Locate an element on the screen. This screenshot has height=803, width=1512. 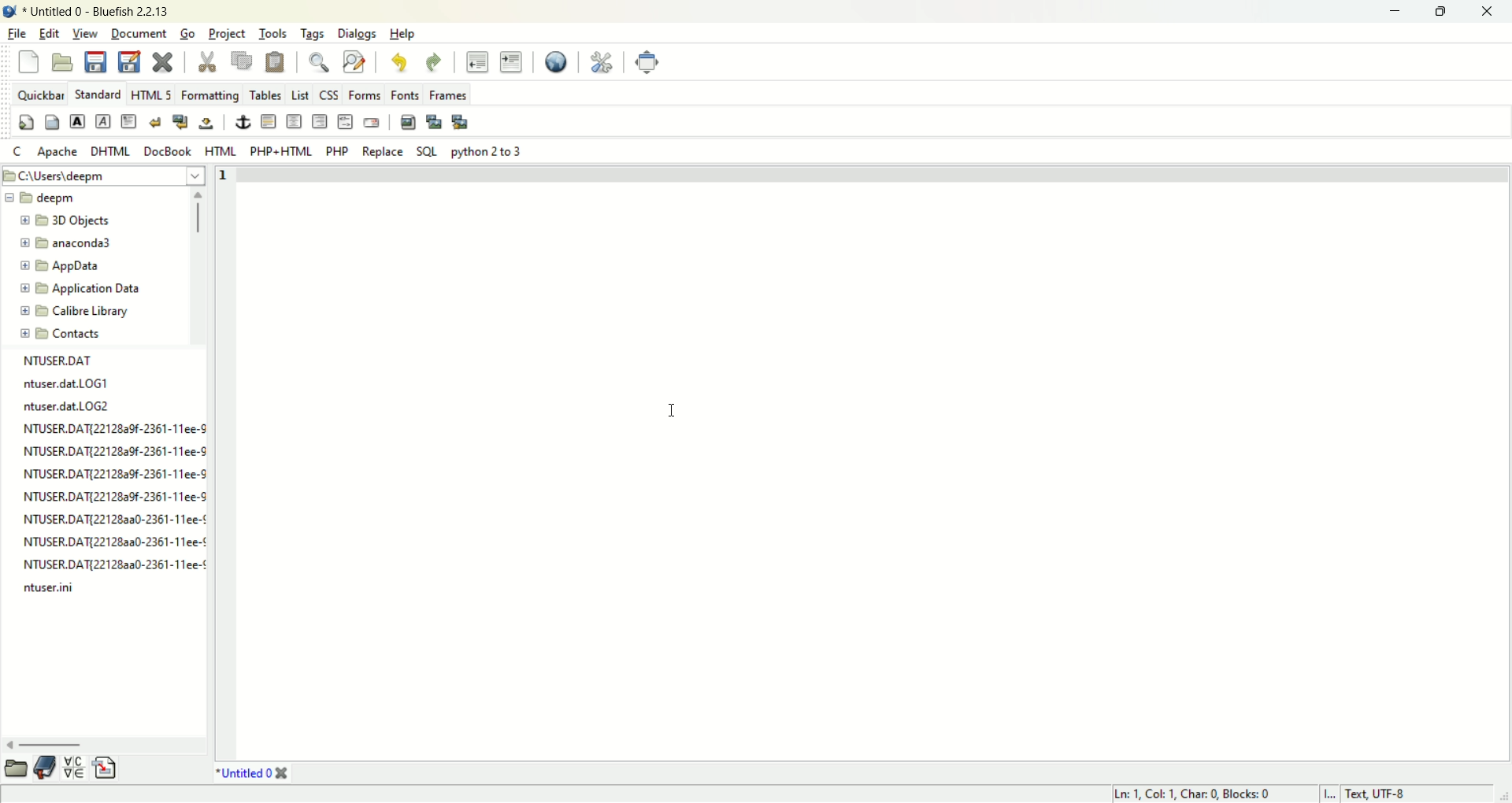
Filepath is located at coordinates (105, 176).